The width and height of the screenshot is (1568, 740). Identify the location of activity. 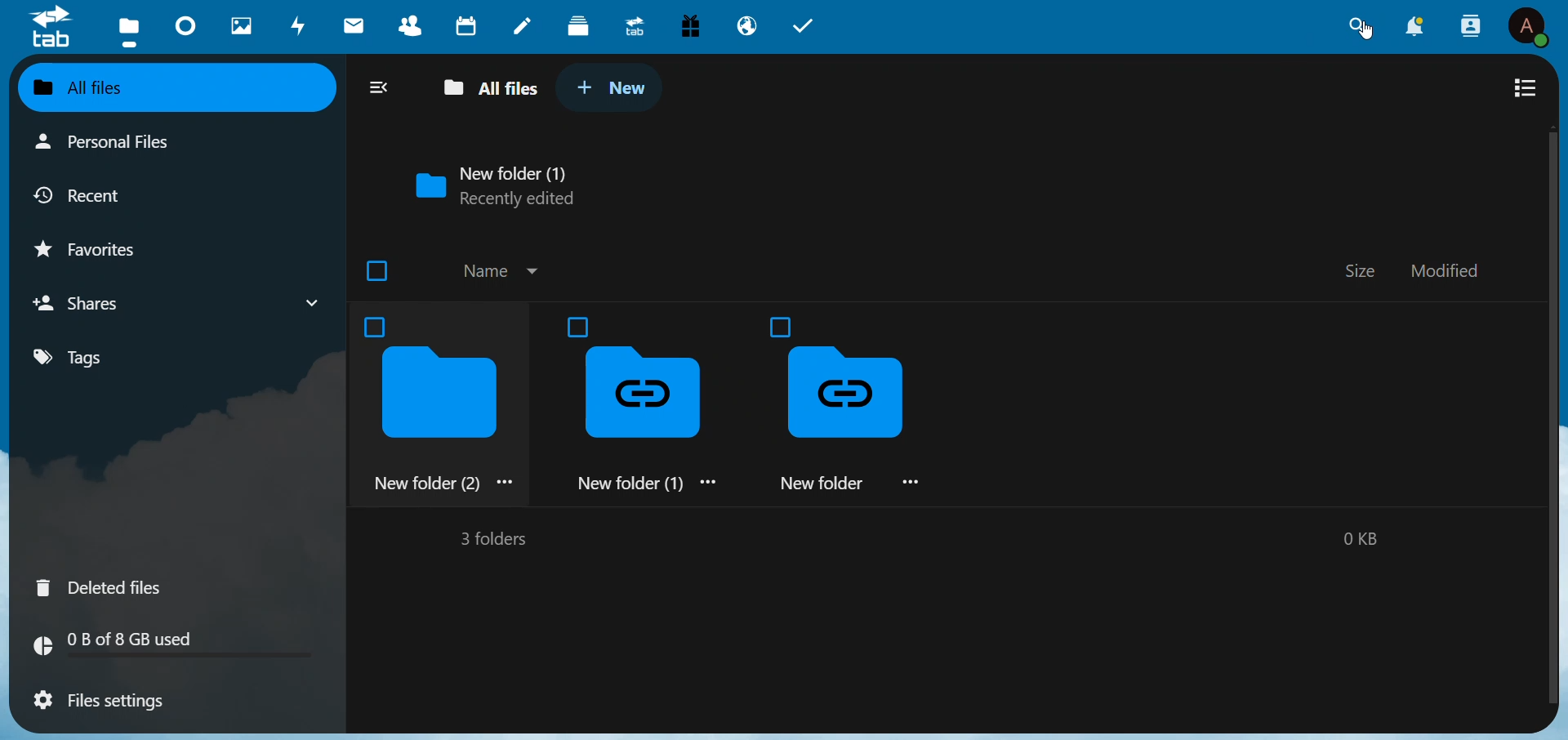
(301, 26).